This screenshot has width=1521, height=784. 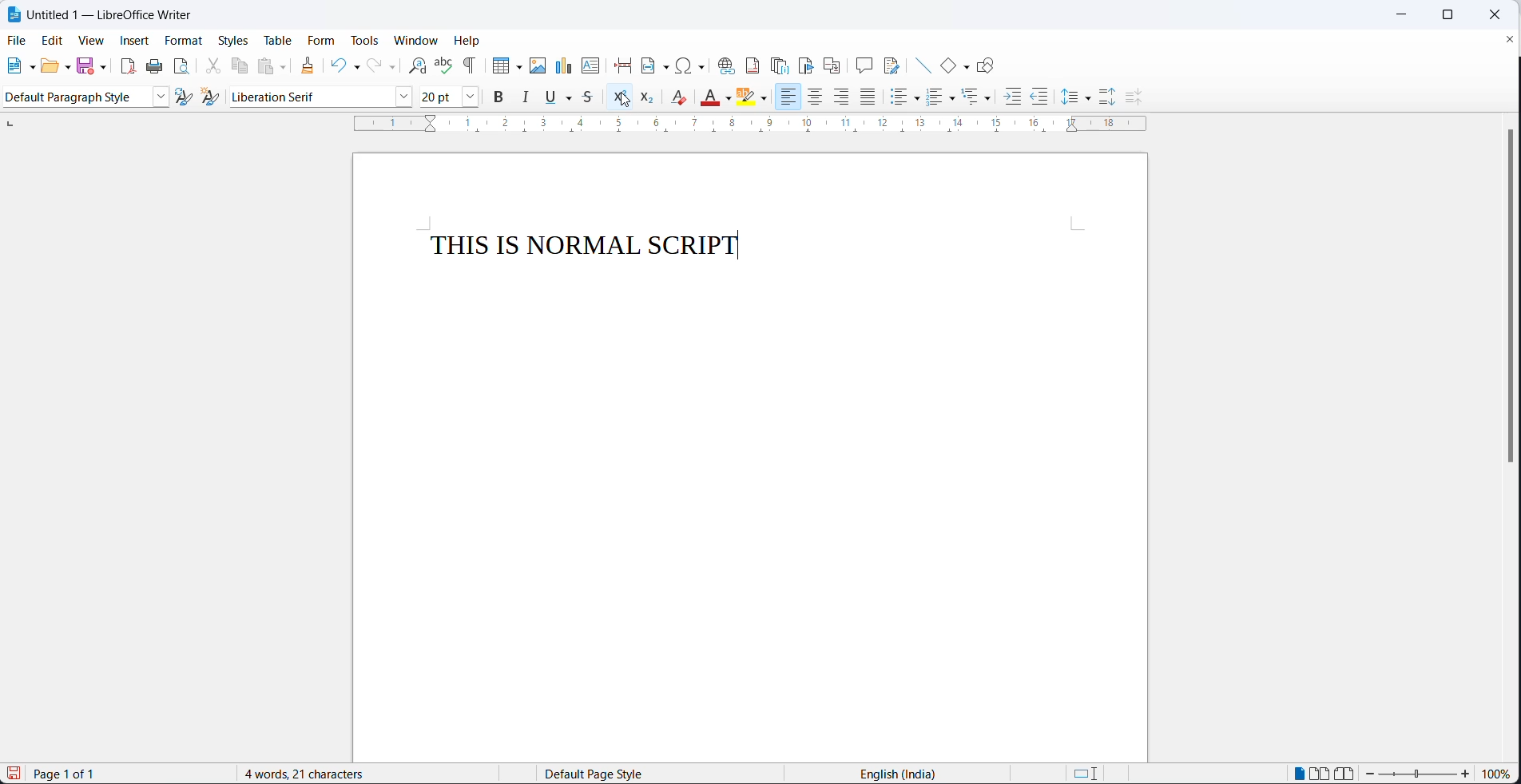 What do you see at coordinates (808, 65) in the screenshot?
I see `insert bookmark` at bounding box center [808, 65].